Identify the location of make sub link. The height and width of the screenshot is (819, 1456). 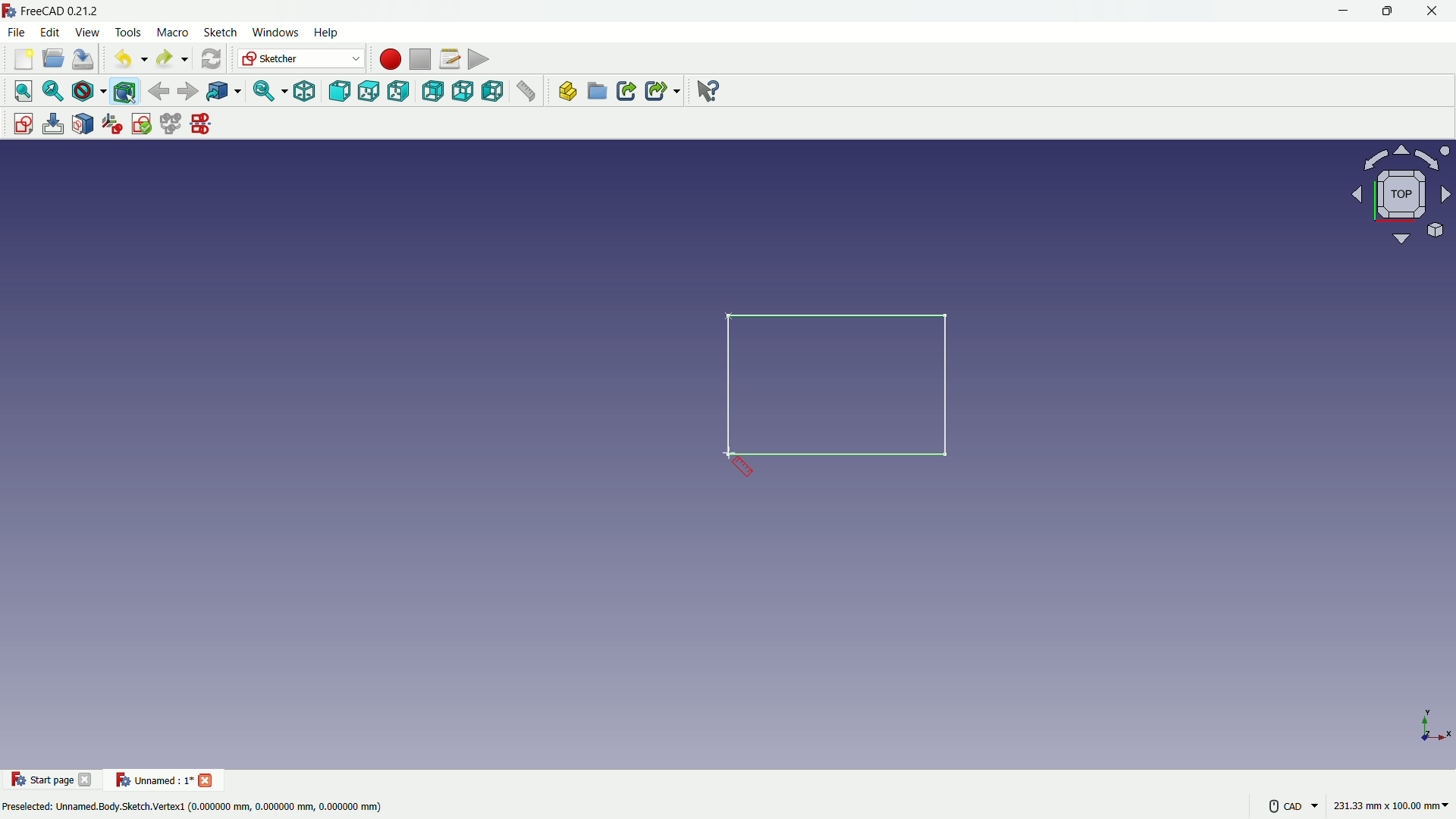
(661, 91).